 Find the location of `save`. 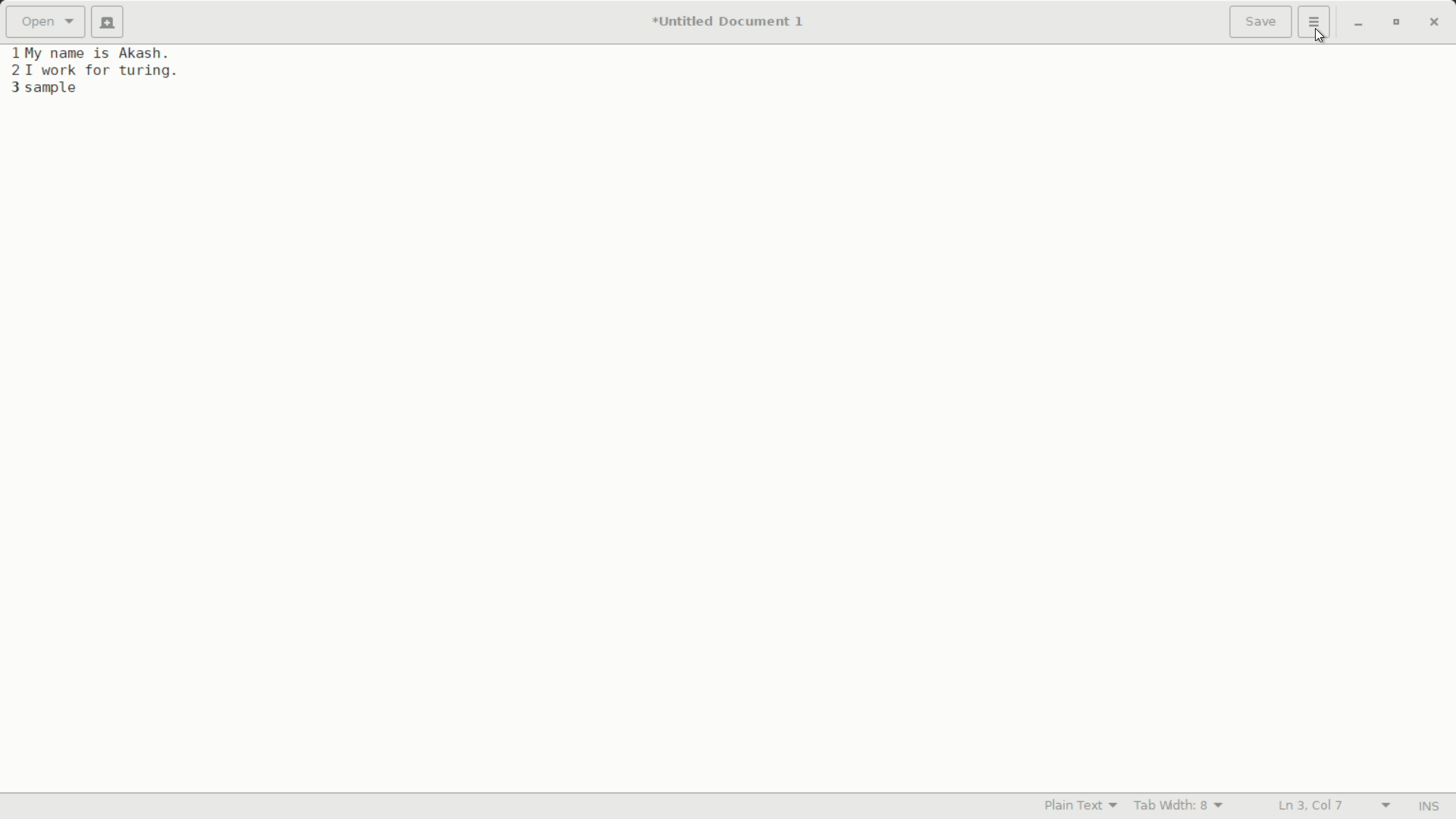

save is located at coordinates (1261, 24).